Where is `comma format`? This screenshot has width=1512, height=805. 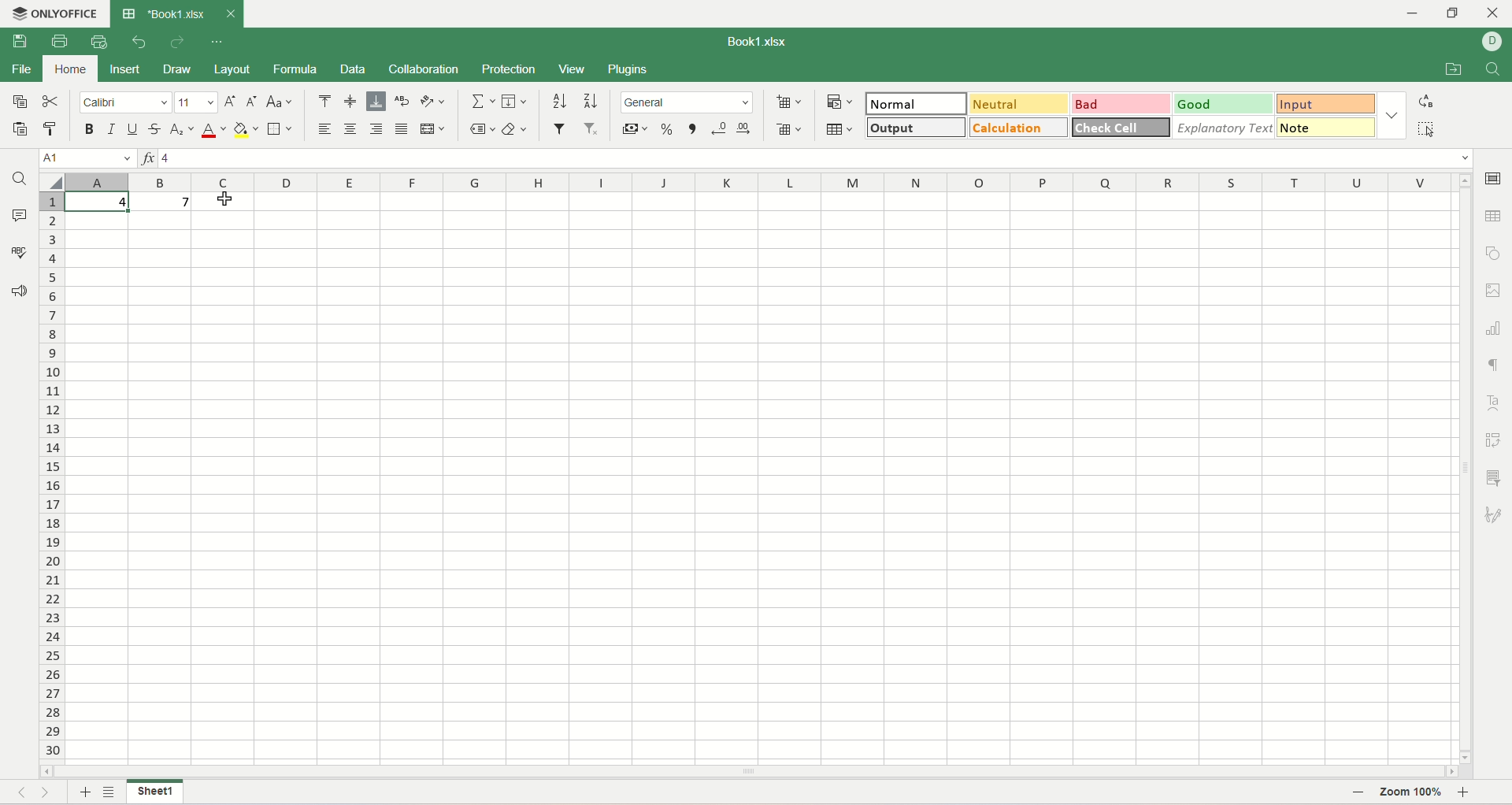
comma format is located at coordinates (692, 129).